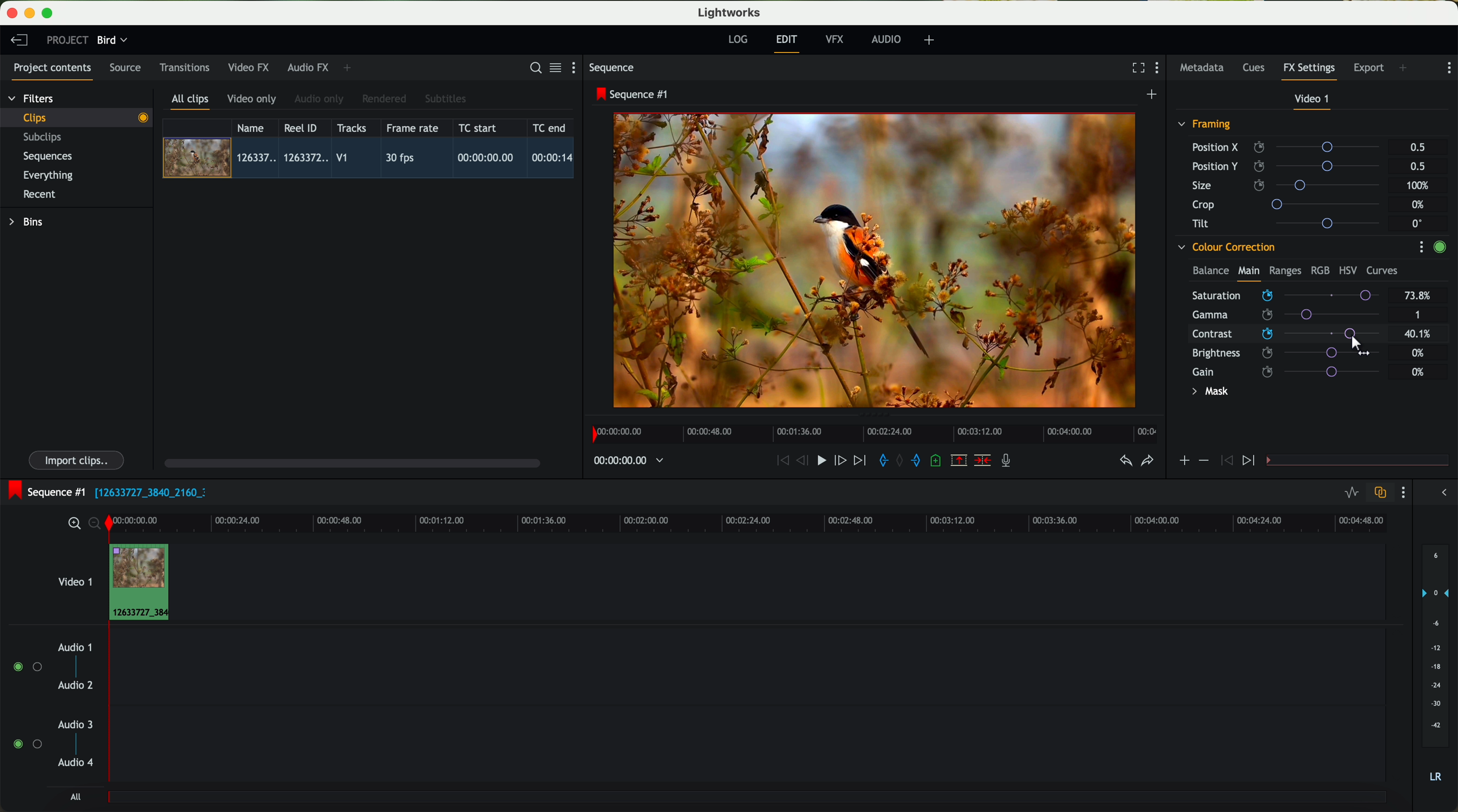  Describe the element at coordinates (886, 39) in the screenshot. I see `audio` at that location.